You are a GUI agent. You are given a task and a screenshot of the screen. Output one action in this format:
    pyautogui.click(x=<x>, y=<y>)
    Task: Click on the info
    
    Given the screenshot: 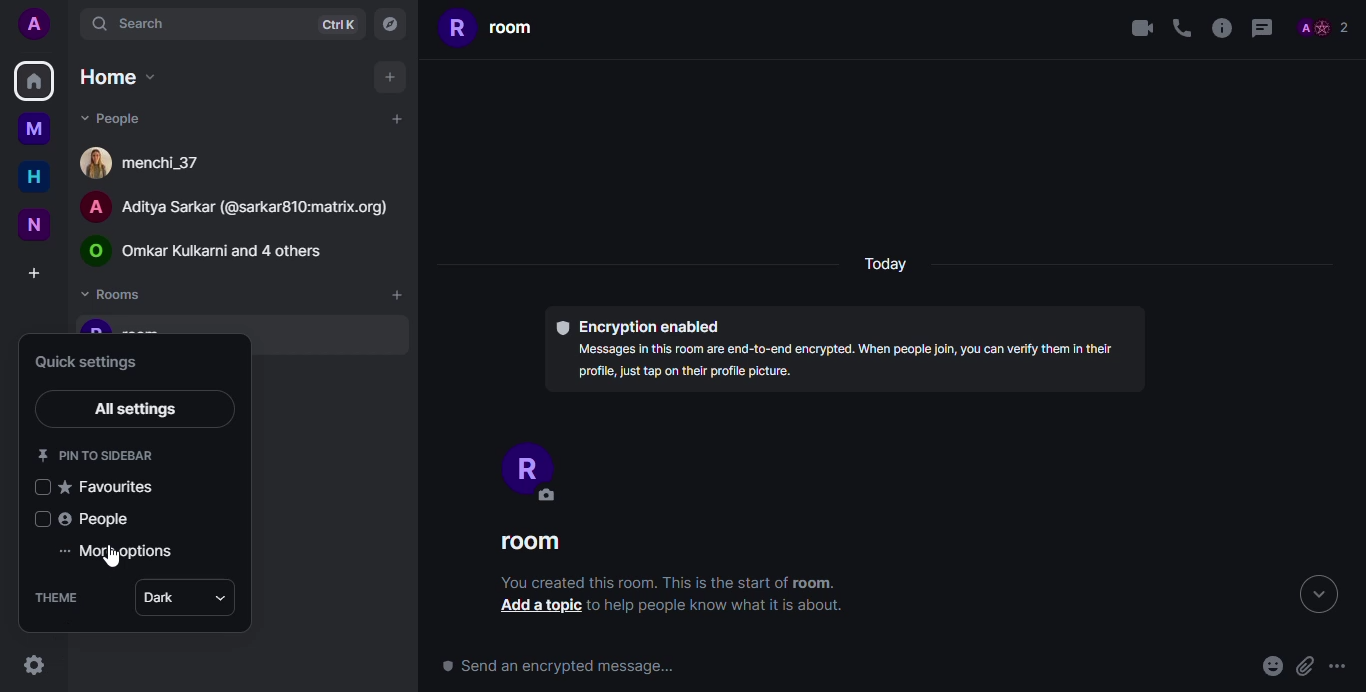 What is the action you would take?
    pyautogui.click(x=1218, y=29)
    